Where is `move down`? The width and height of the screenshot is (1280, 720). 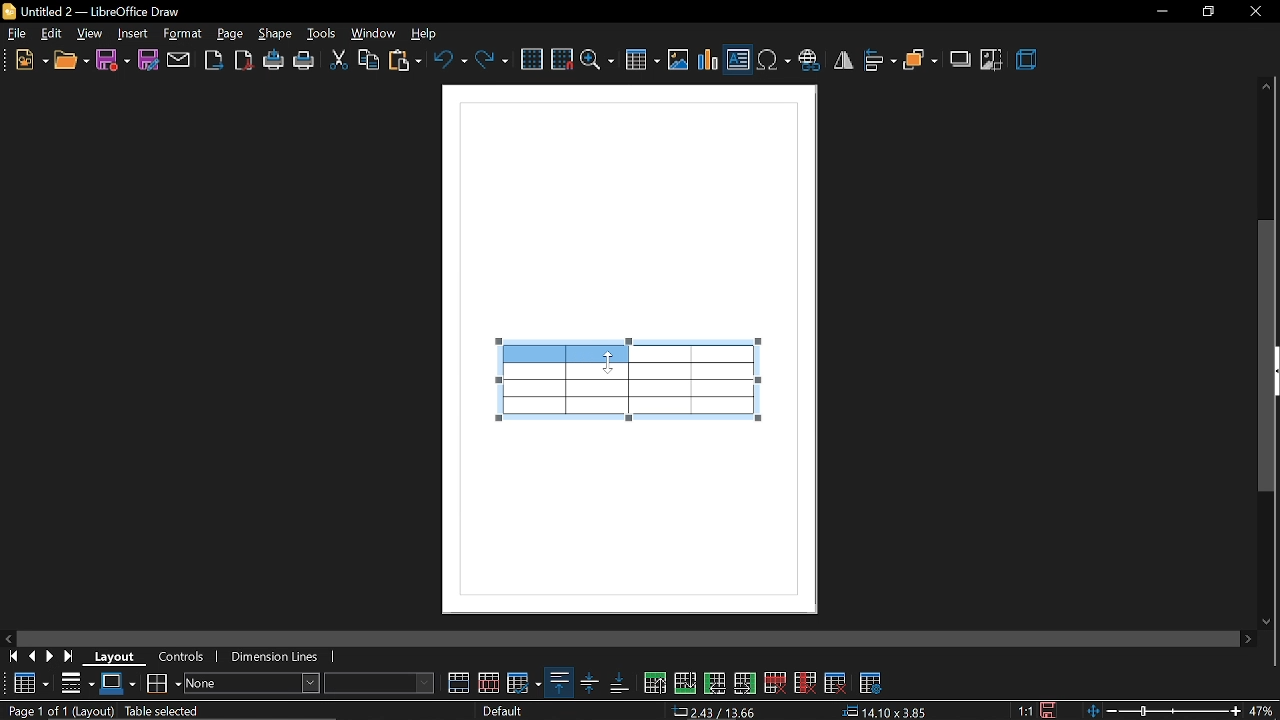 move down is located at coordinates (1265, 620).